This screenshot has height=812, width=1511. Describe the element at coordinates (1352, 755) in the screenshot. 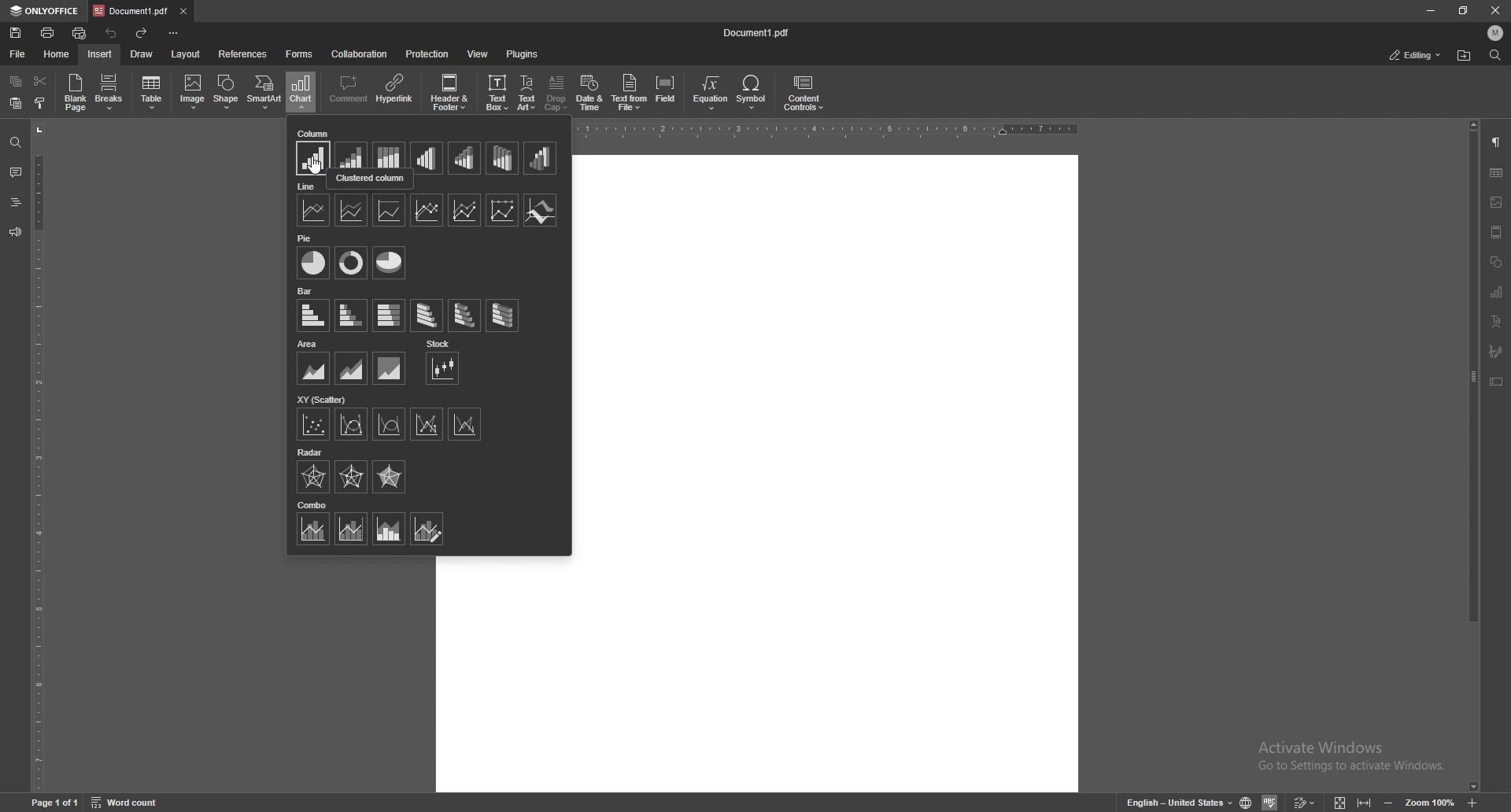

I see `Activate windows` at that location.